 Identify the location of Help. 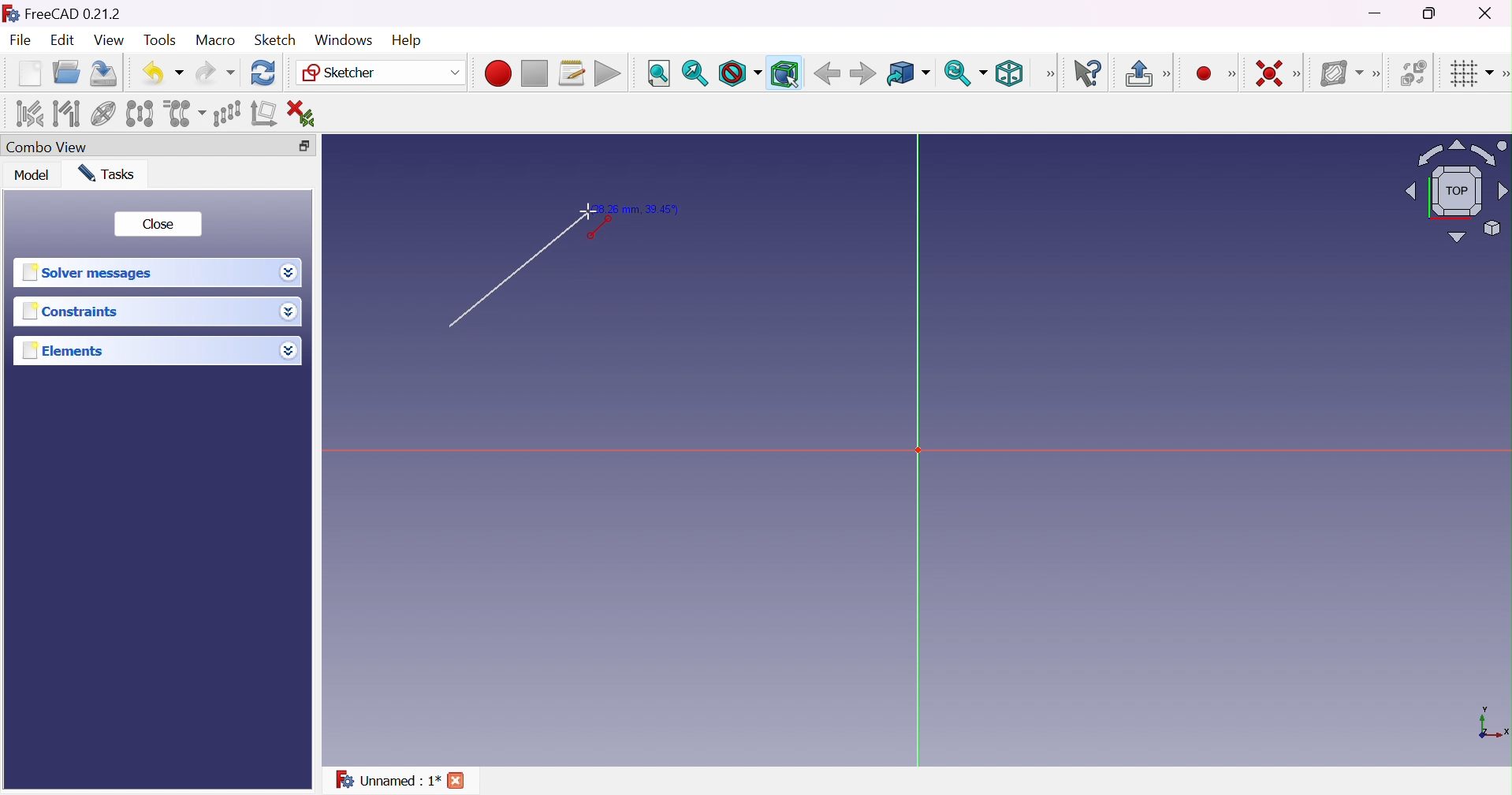
(406, 39).